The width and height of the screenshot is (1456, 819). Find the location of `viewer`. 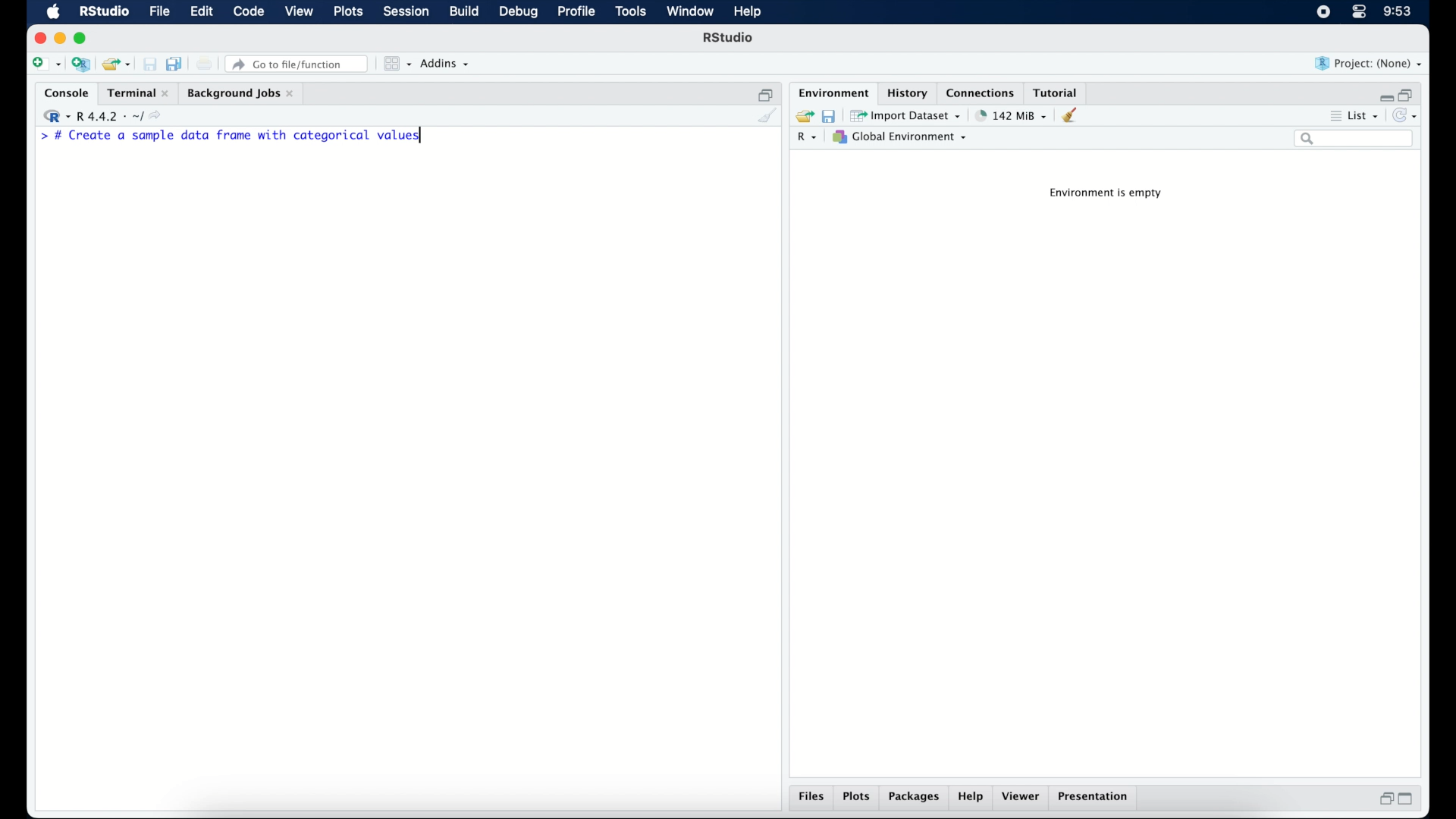

viewer is located at coordinates (1022, 798).